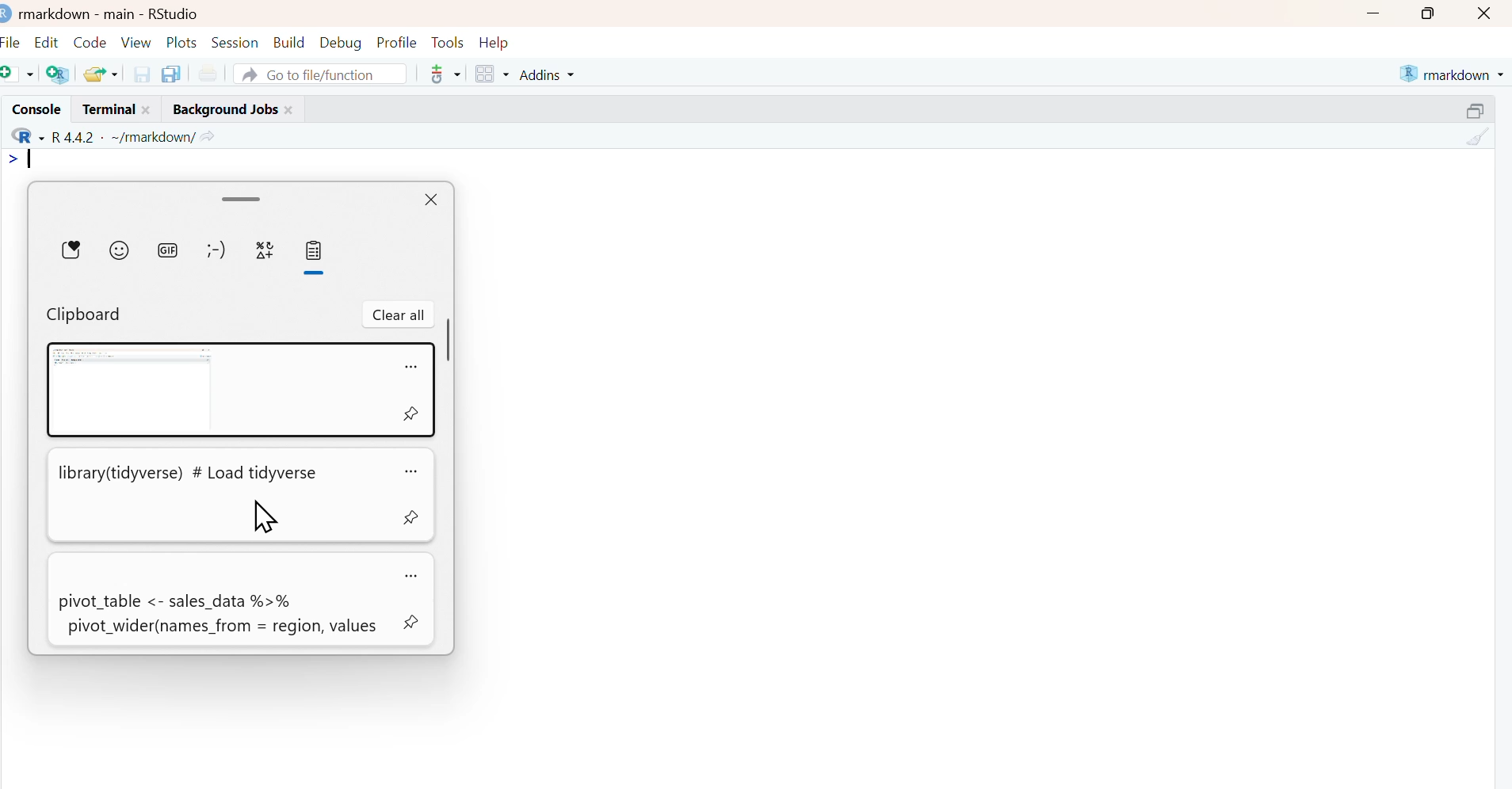  I want to click on cursor, so click(269, 516).